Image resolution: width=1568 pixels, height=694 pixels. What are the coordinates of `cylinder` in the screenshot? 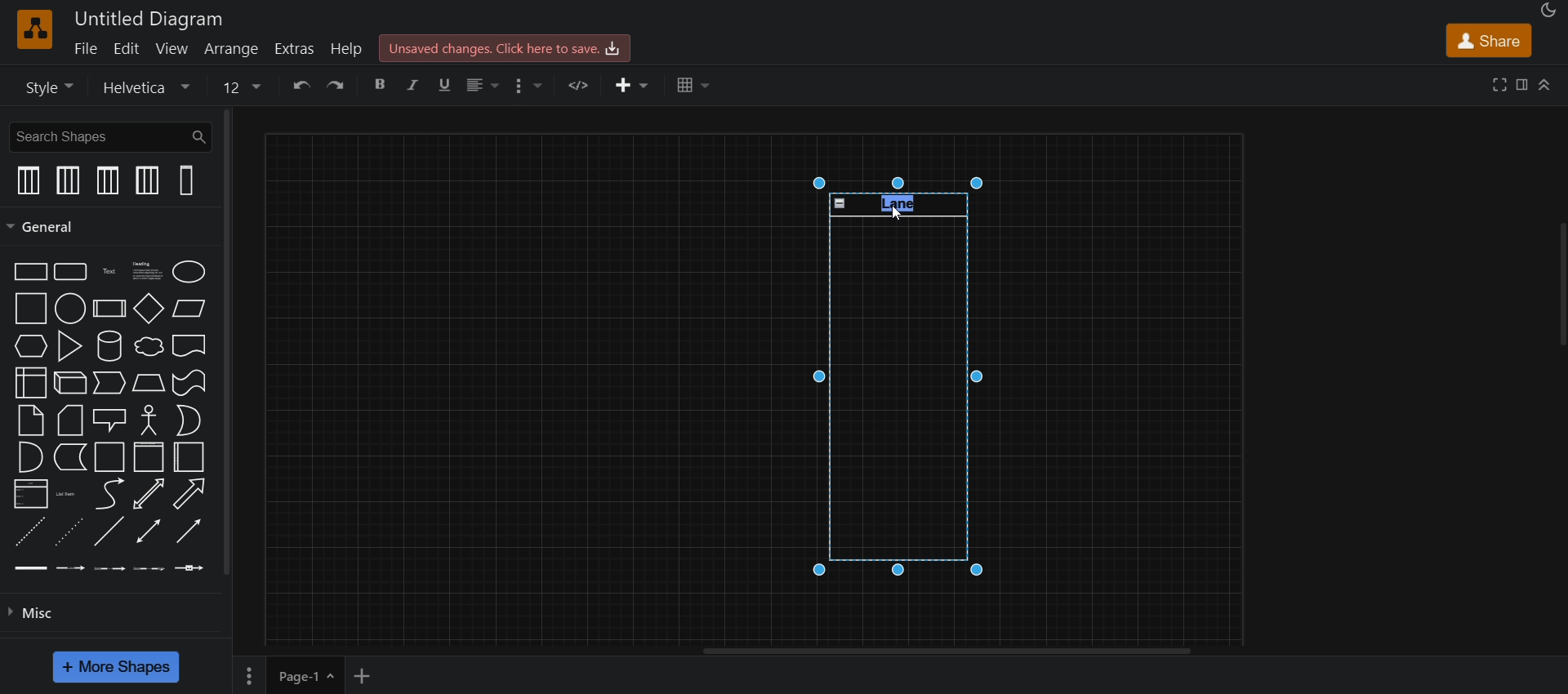 It's located at (110, 345).